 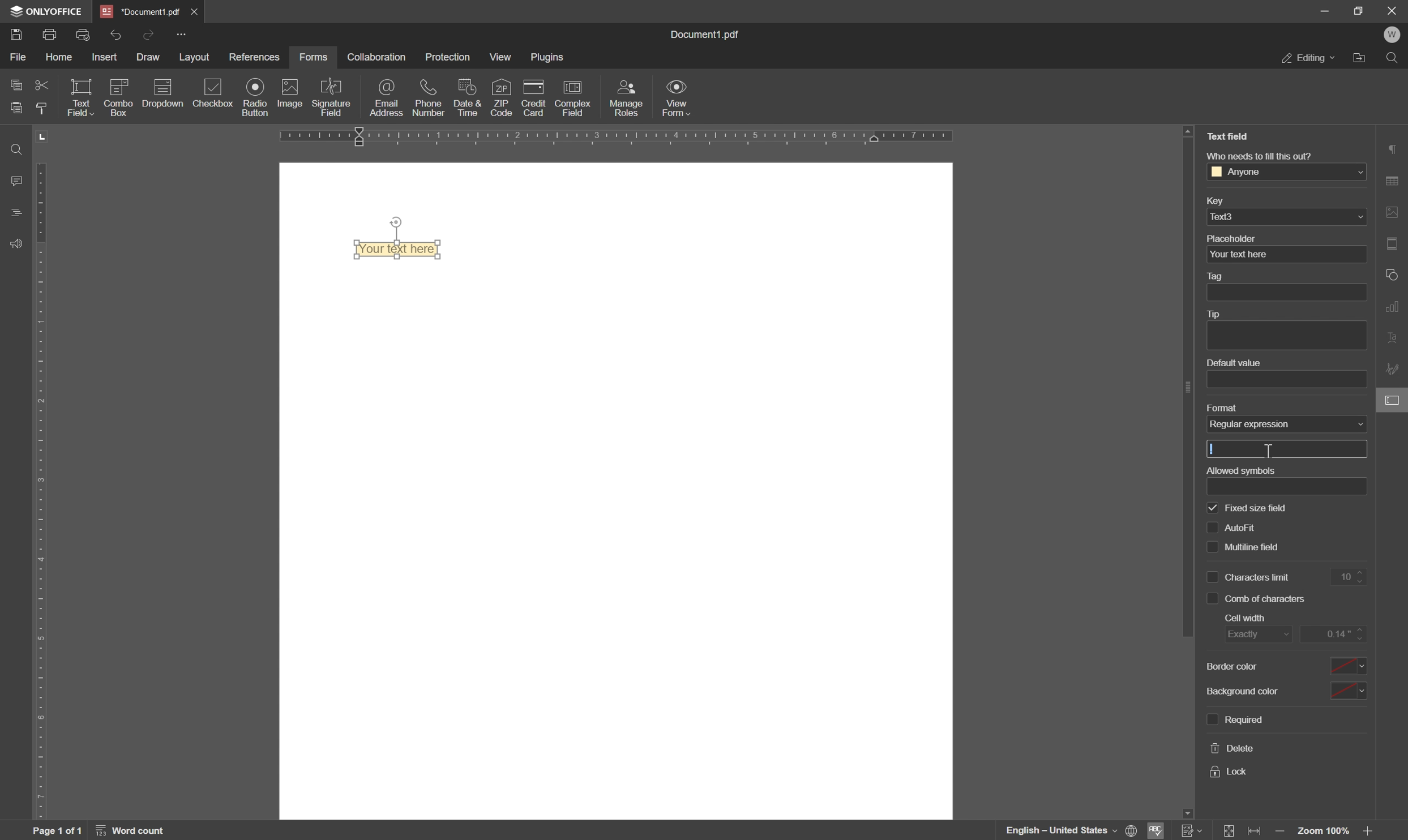 I want to click on fit to slide, so click(x=1230, y=831).